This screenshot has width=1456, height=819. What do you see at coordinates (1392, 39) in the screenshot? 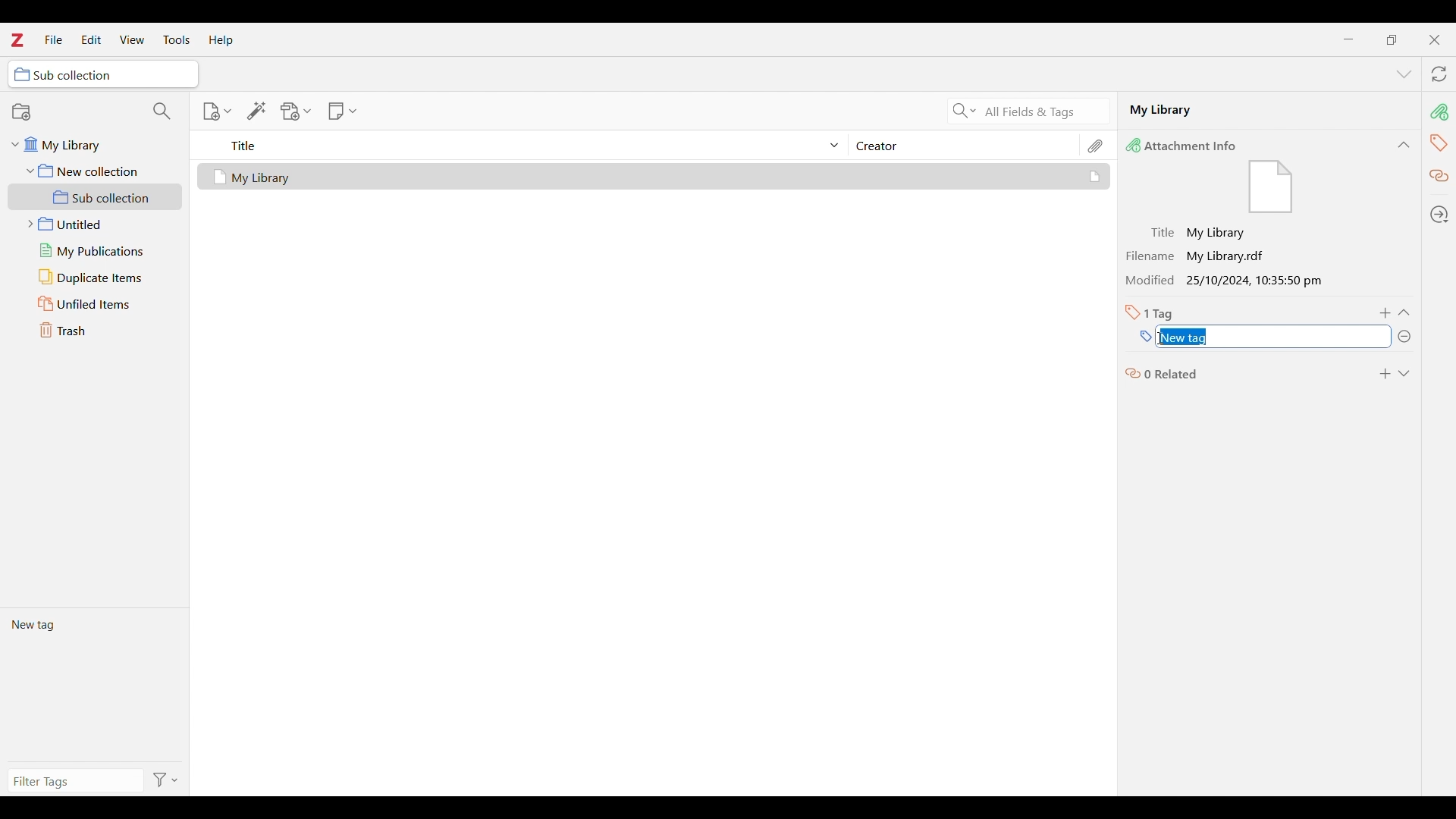
I see `Show interface in a smaller tab` at bounding box center [1392, 39].